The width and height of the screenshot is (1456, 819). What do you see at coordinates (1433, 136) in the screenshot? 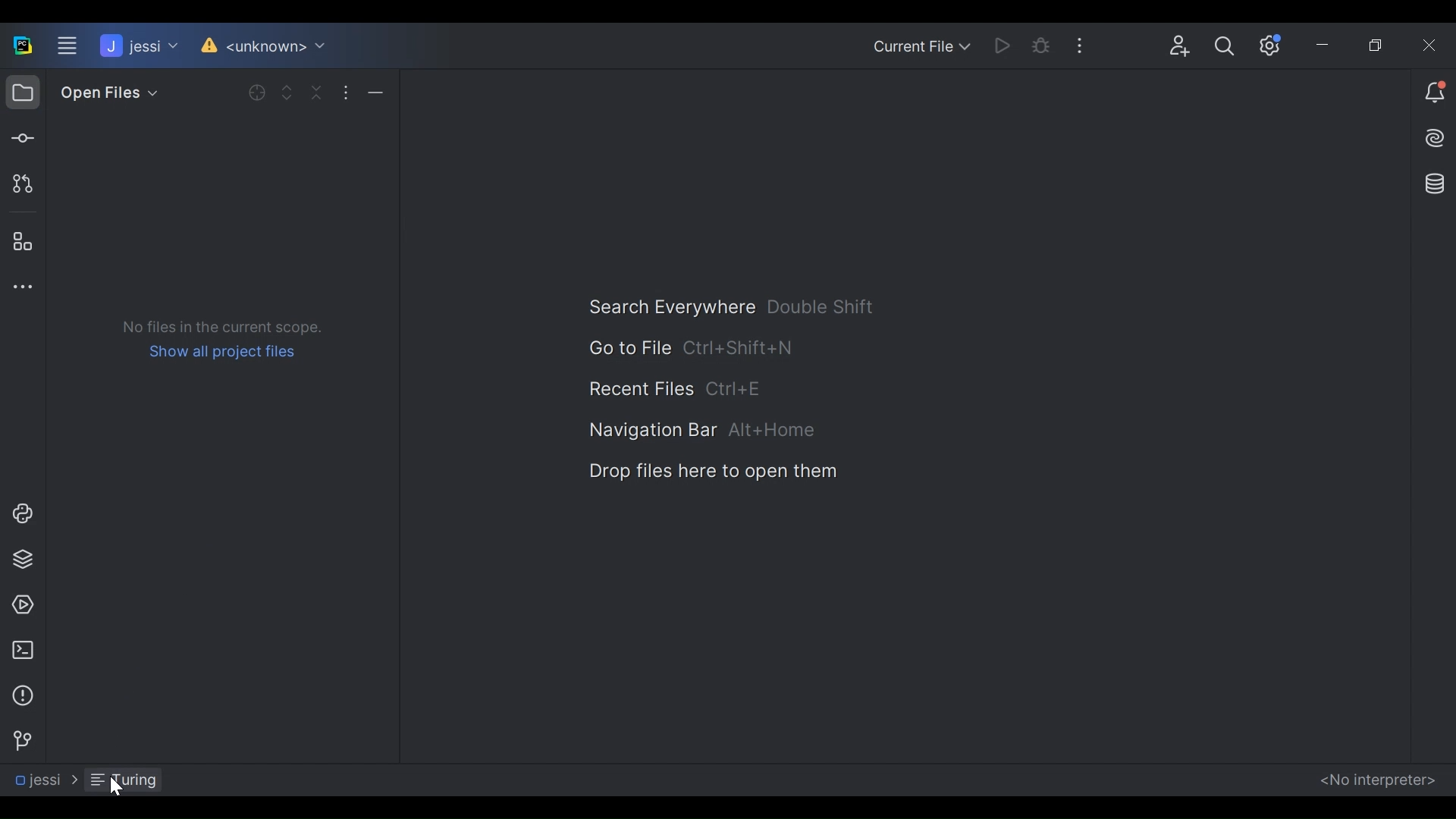
I see `AI Assistant` at bounding box center [1433, 136].